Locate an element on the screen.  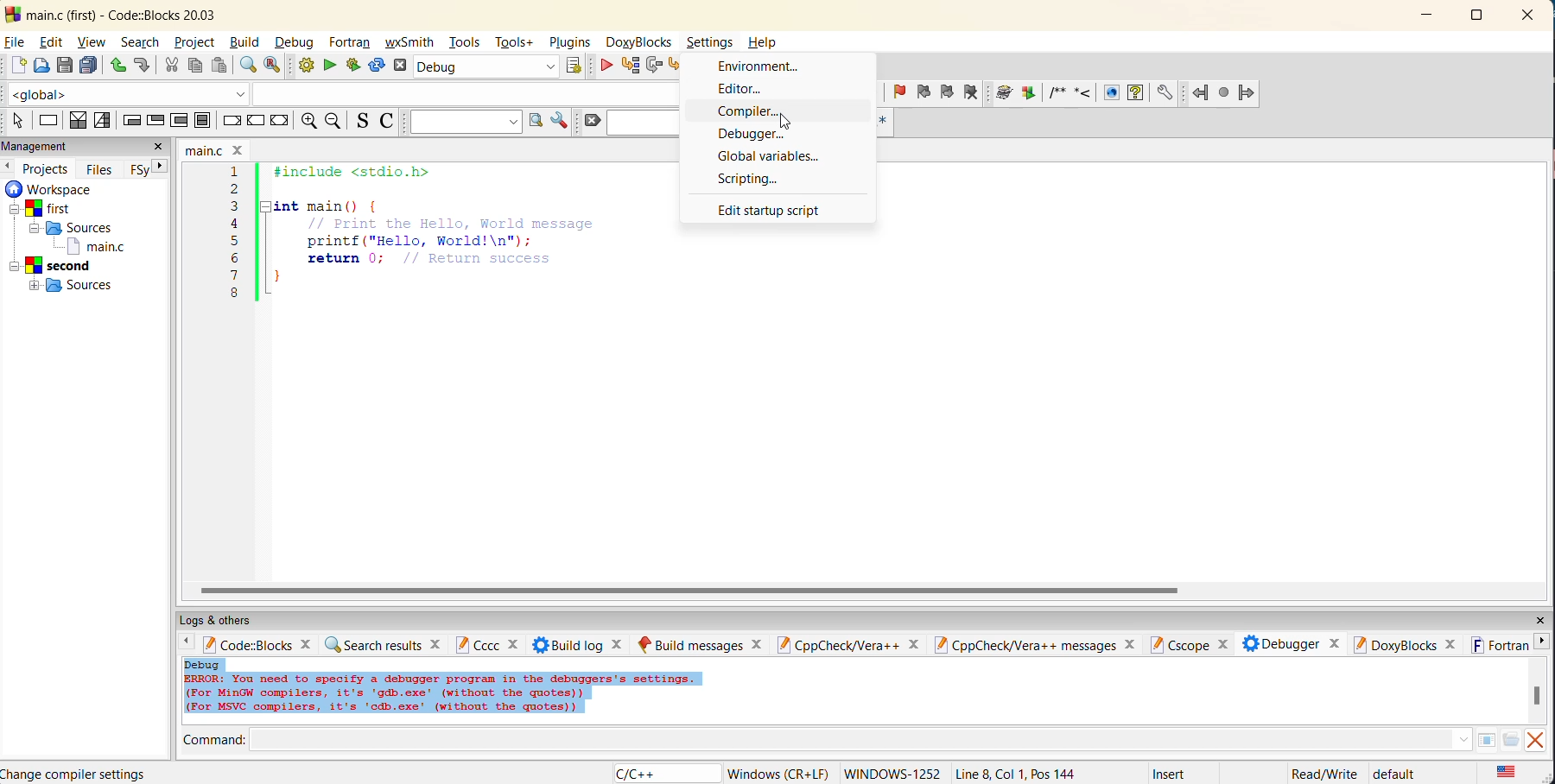
compiler is located at coordinates (755, 111).